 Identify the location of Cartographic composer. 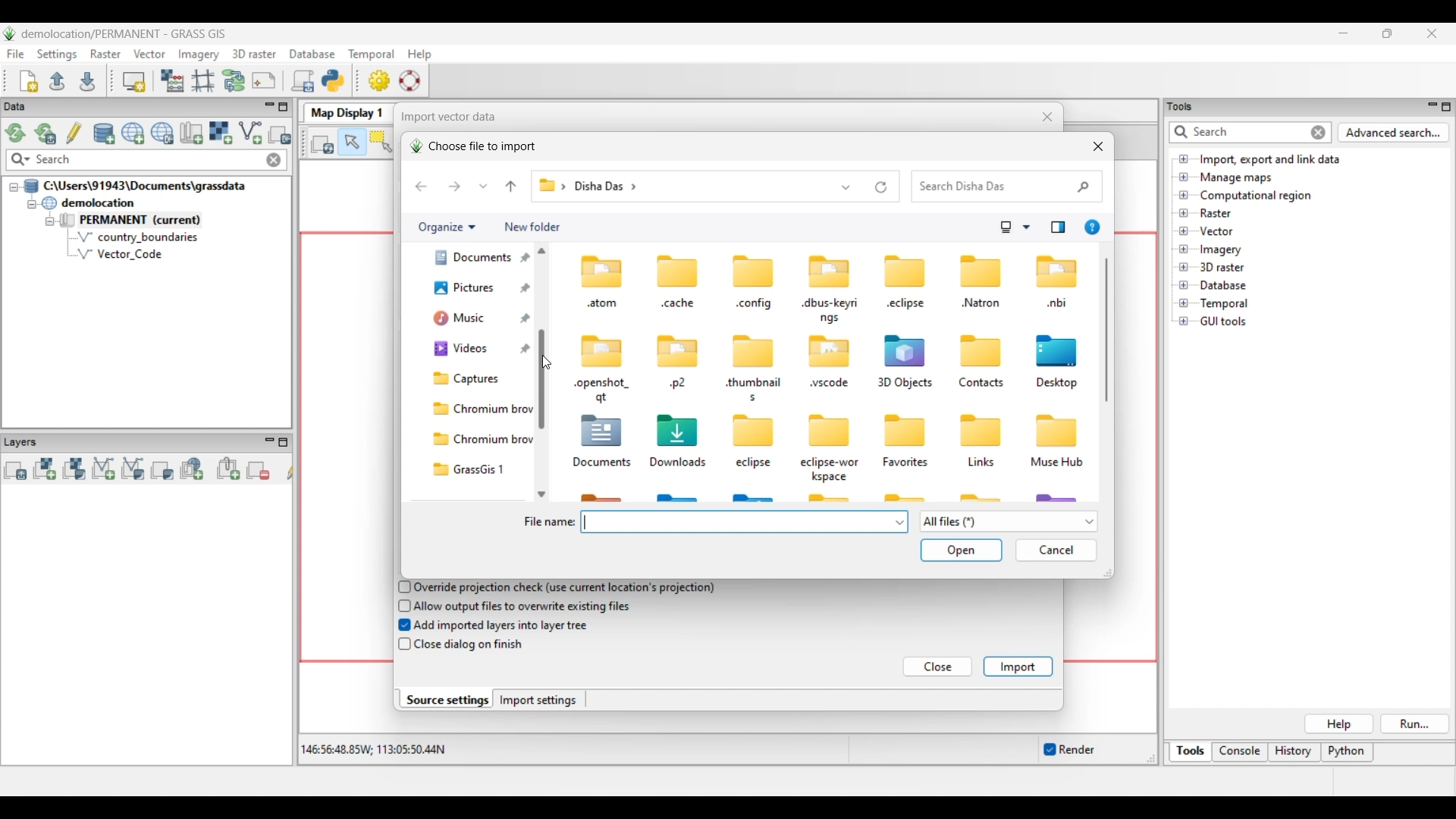
(264, 81).